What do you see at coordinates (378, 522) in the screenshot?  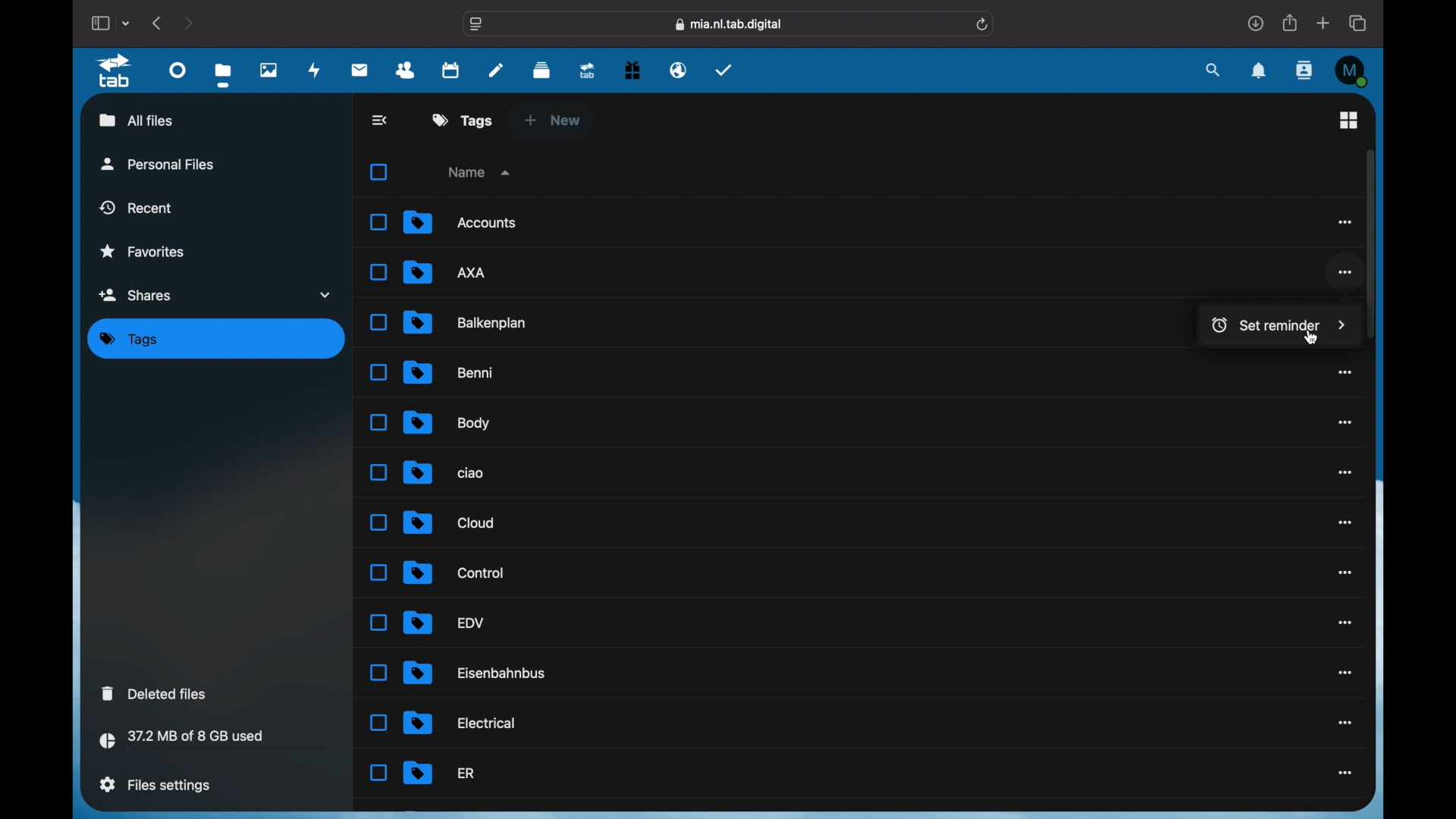 I see `Unselected Checkbox` at bounding box center [378, 522].